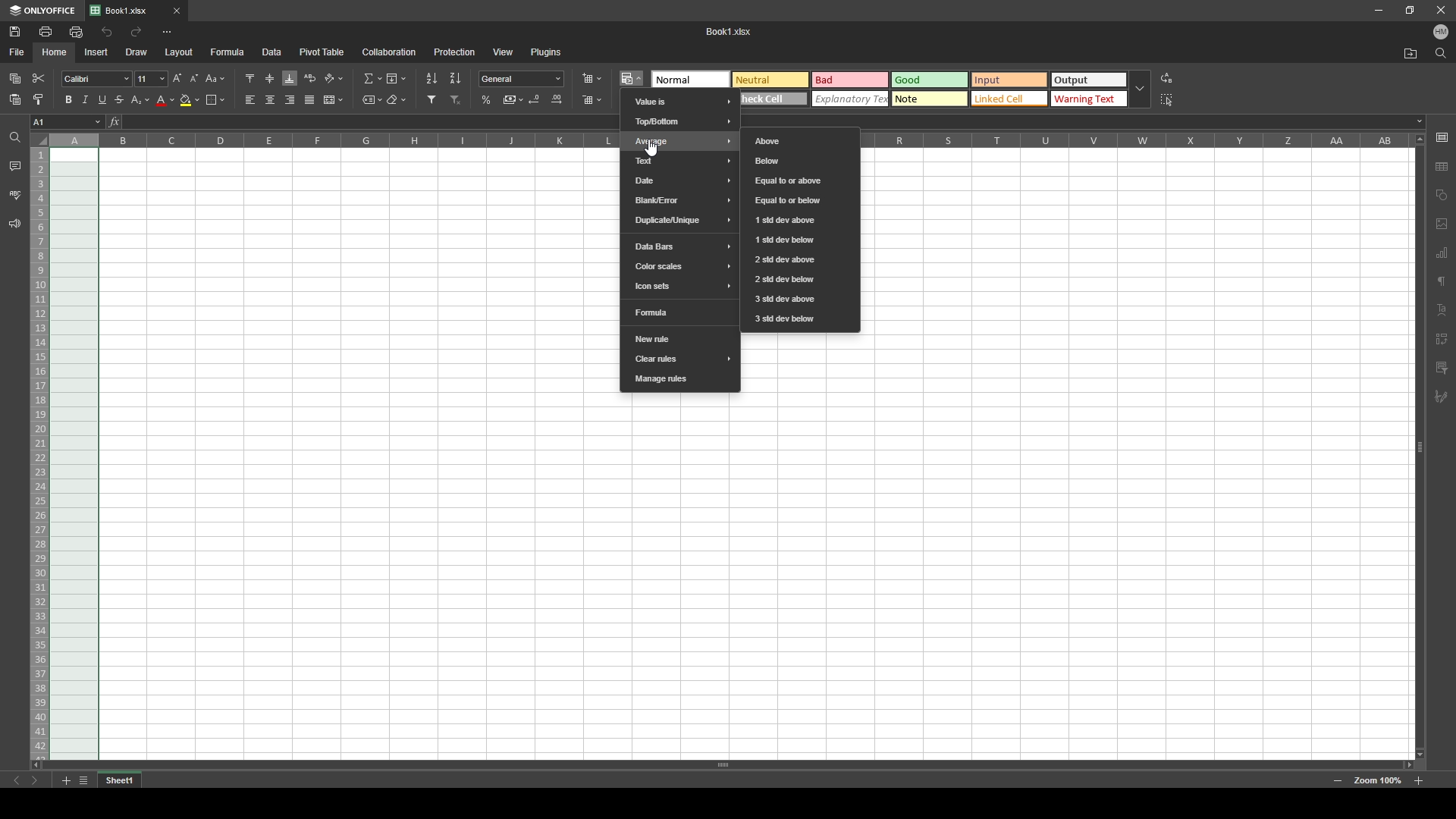 Image resolution: width=1456 pixels, height=819 pixels. Describe the element at coordinates (15, 100) in the screenshot. I see `paste` at that location.